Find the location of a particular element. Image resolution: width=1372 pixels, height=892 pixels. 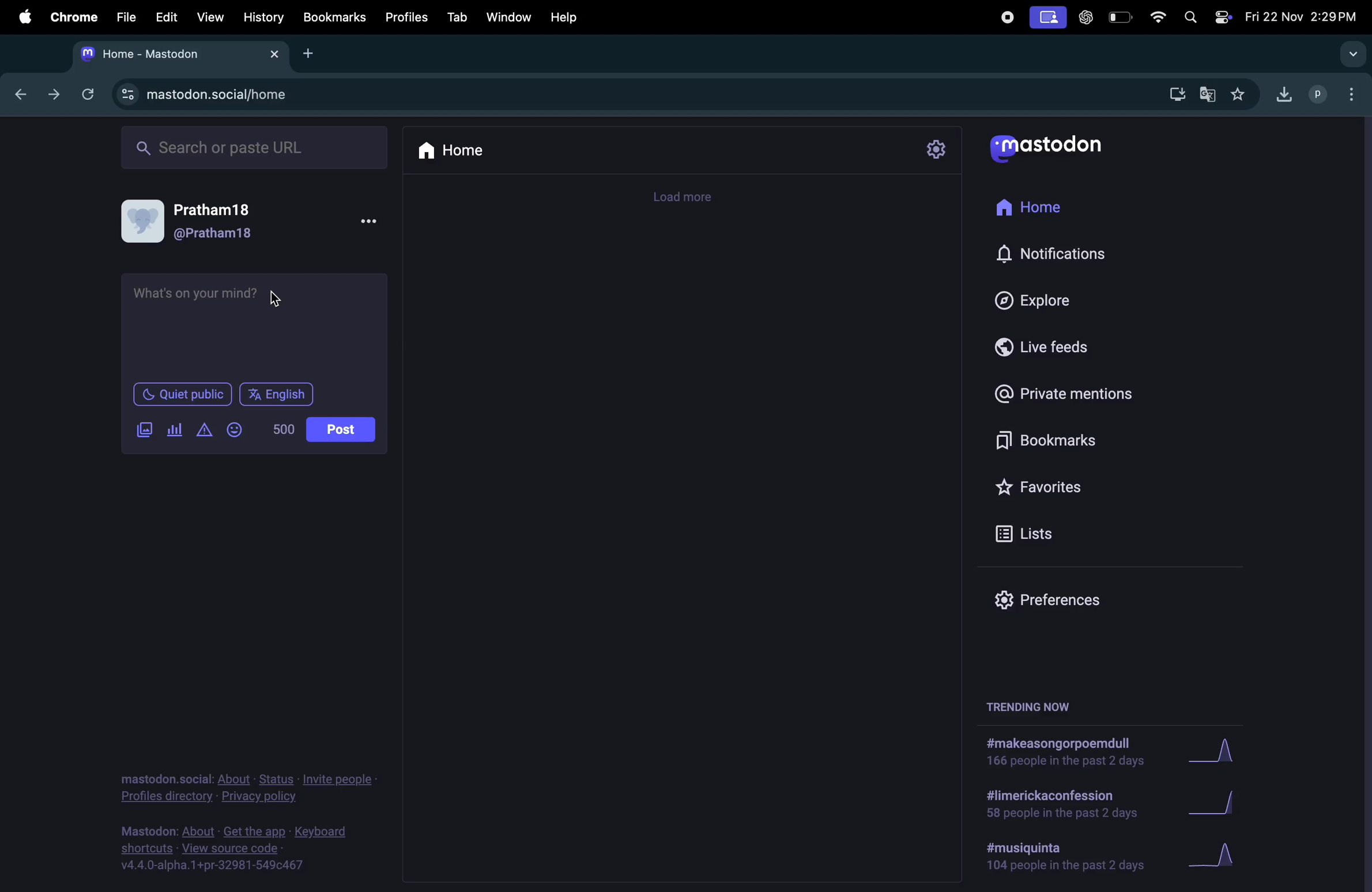

view is located at coordinates (207, 16).